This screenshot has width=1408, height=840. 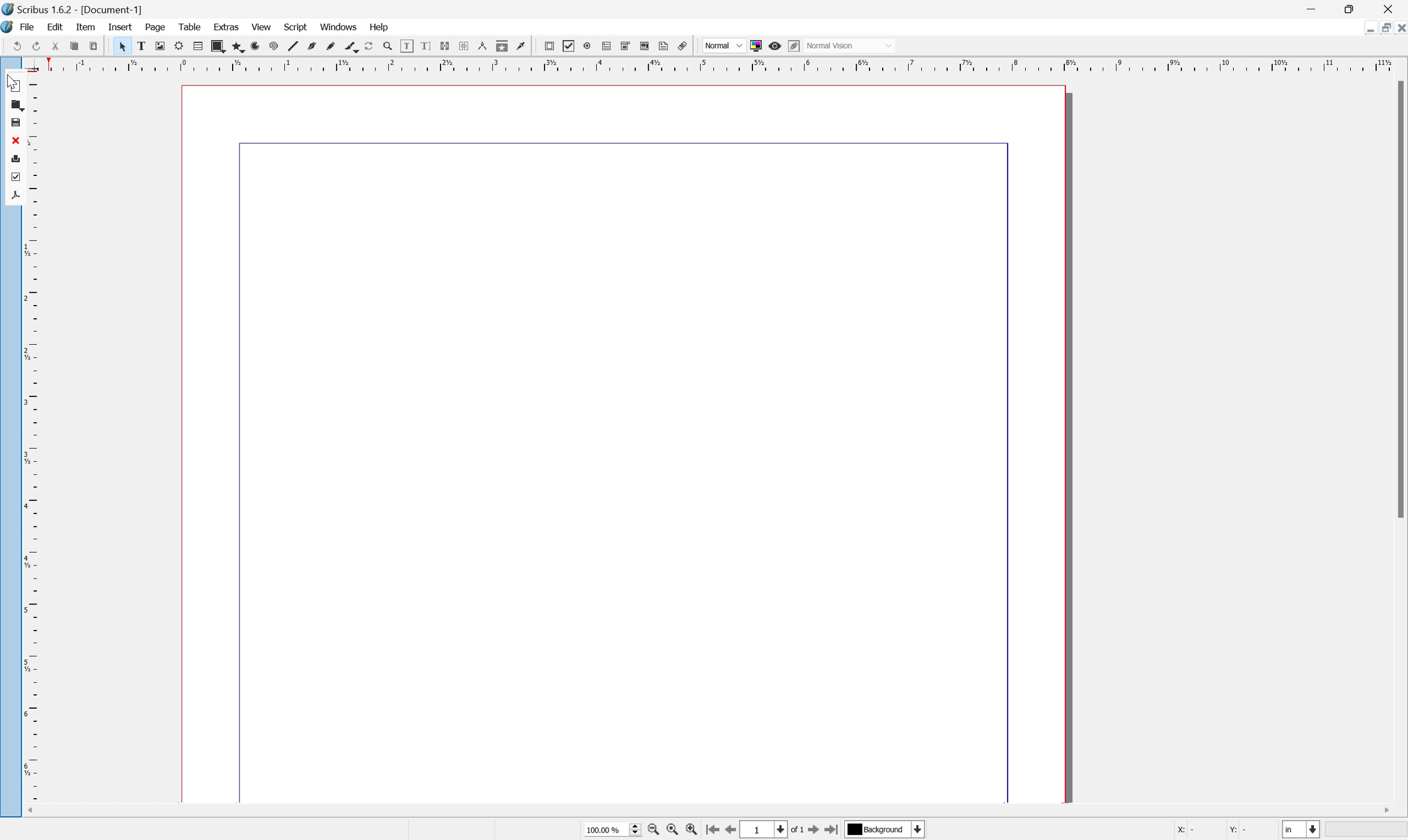 What do you see at coordinates (548, 46) in the screenshot?
I see `edit contents of frame` at bounding box center [548, 46].